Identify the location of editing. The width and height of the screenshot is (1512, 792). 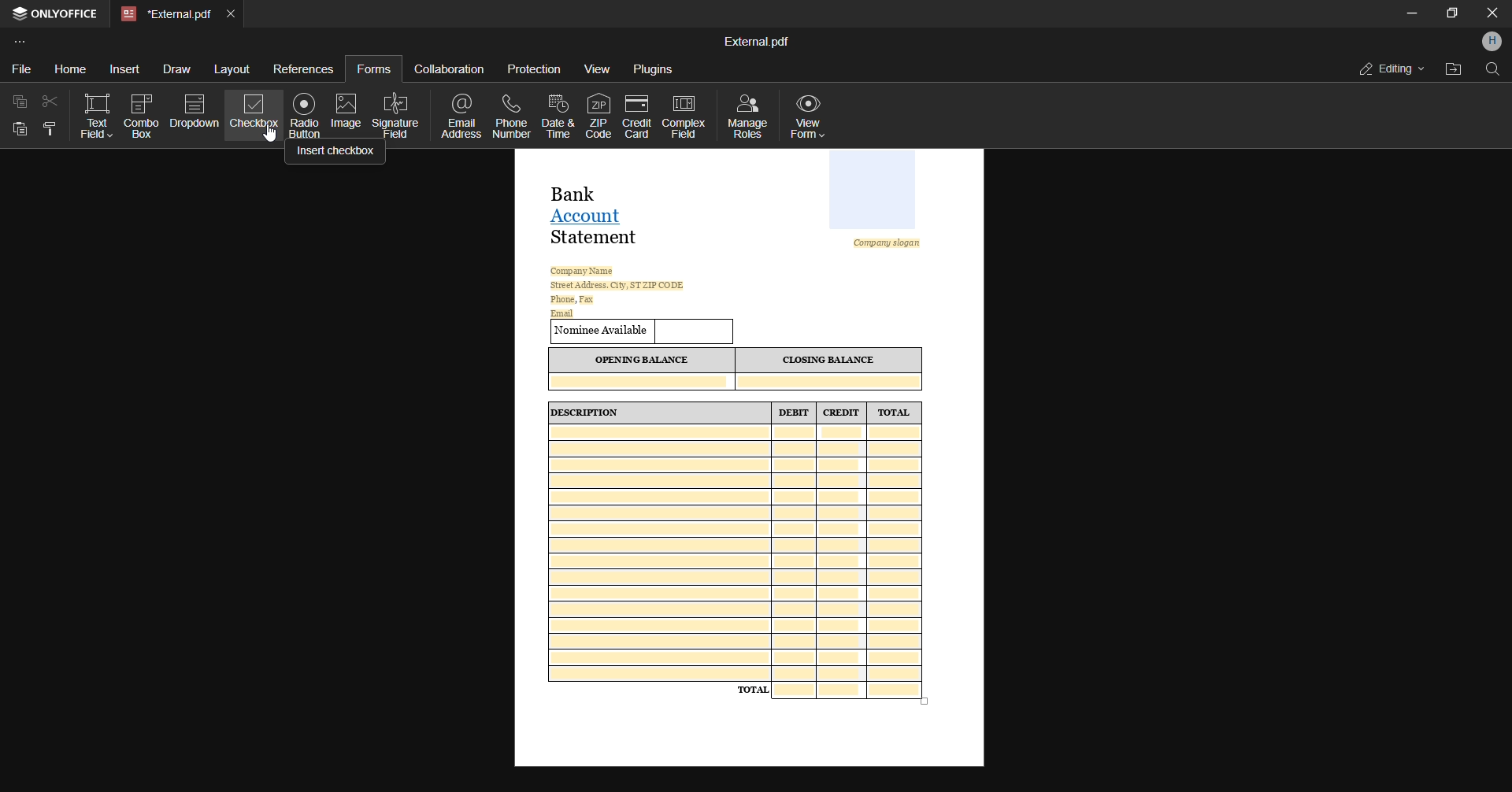
(1387, 67).